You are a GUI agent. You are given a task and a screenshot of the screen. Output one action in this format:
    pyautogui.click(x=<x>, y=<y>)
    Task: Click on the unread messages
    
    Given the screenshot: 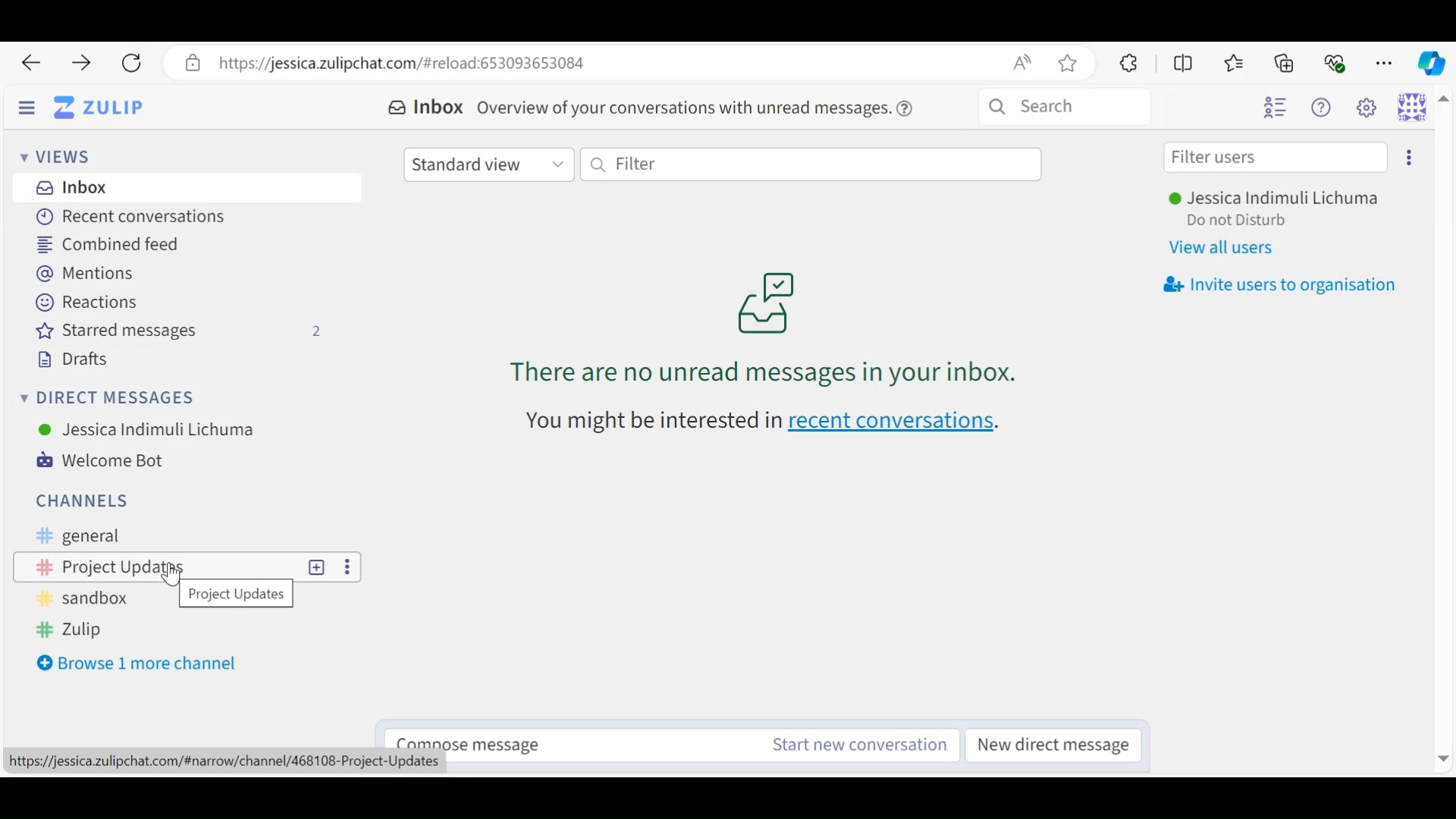 What is the action you would take?
    pyautogui.click(x=761, y=328)
    